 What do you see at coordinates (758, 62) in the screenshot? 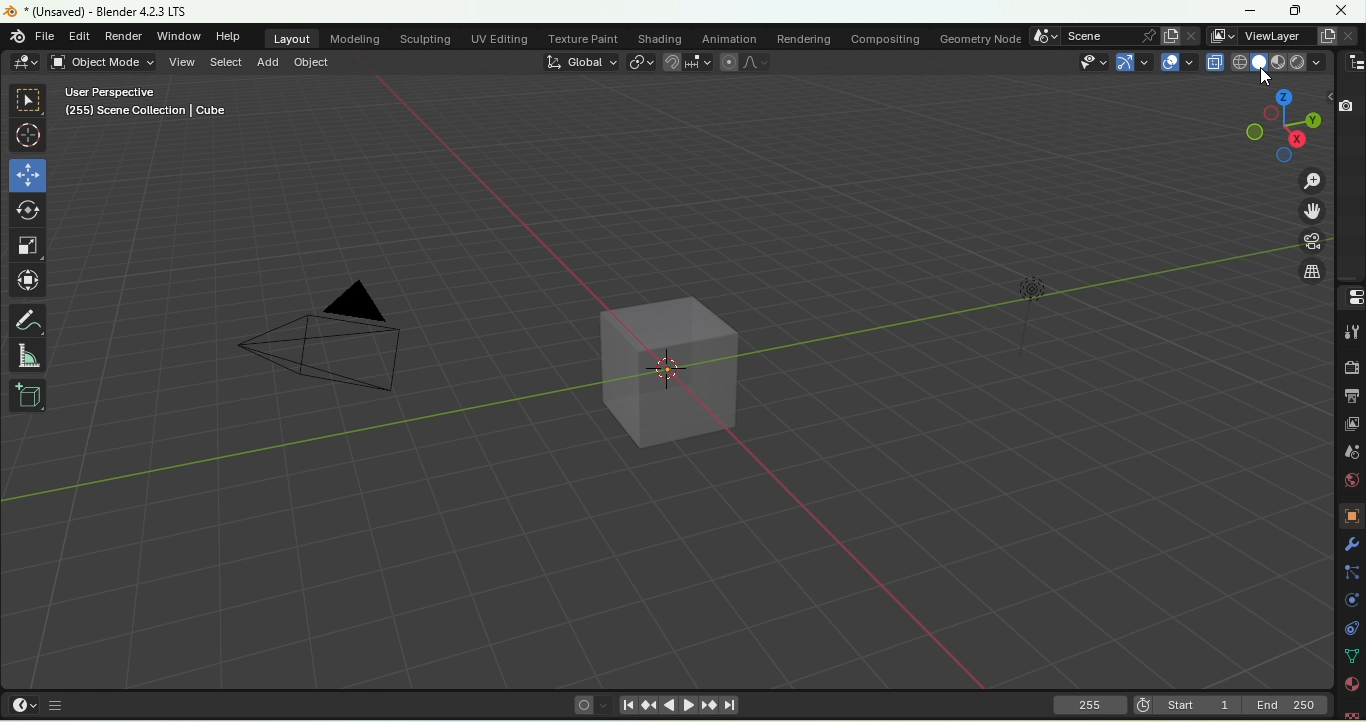
I see `Proportional editing falloff` at bounding box center [758, 62].